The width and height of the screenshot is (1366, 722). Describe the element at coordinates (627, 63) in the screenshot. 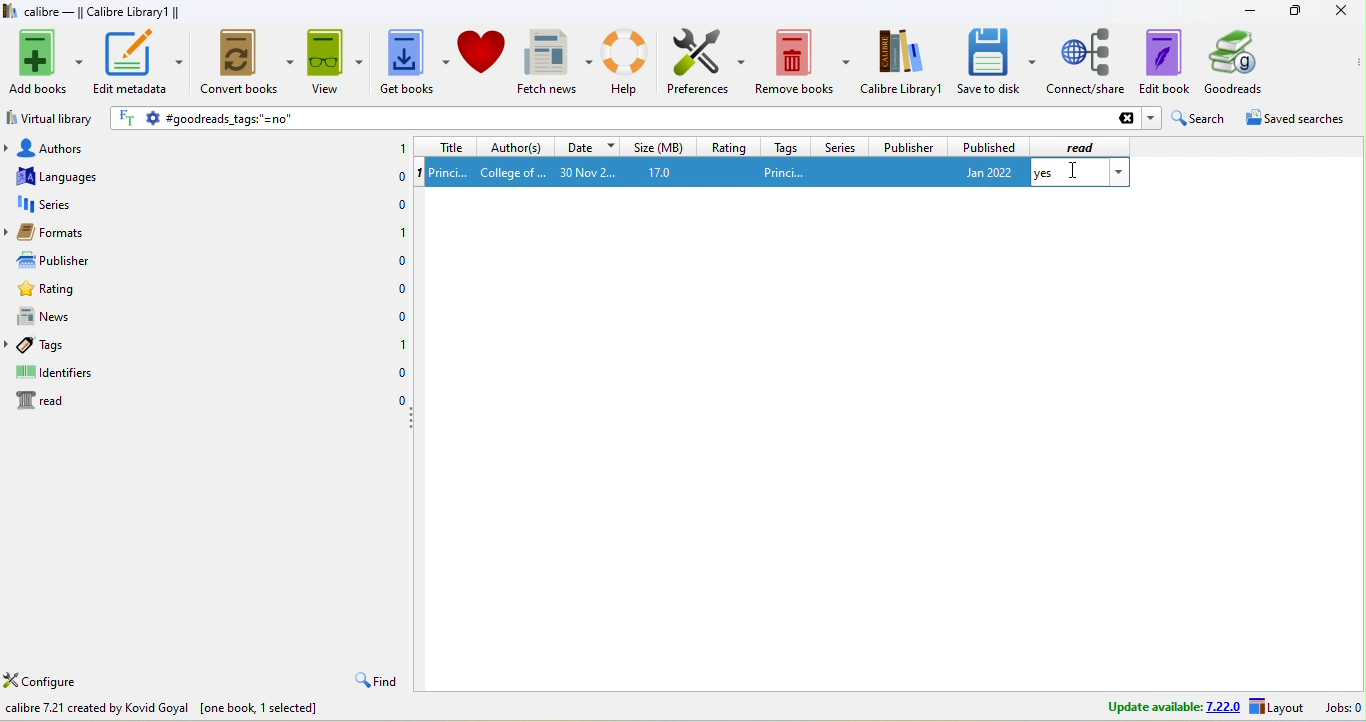

I see `help` at that location.